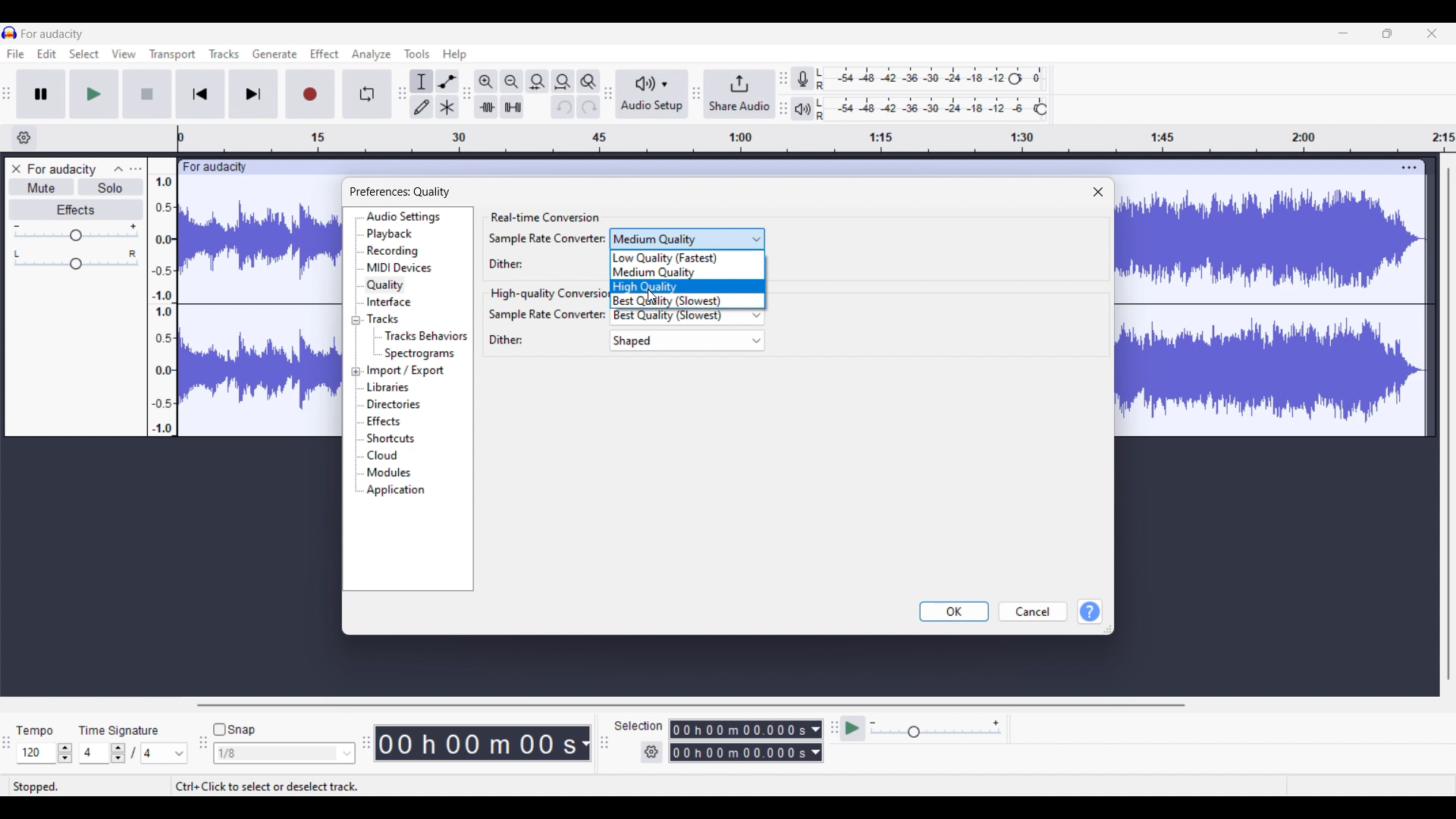 The image size is (1456, 819). What do you see at coordinates (372, 55) in the screenshot?
I see `Analyze menu` at bounding box center [372, 55].